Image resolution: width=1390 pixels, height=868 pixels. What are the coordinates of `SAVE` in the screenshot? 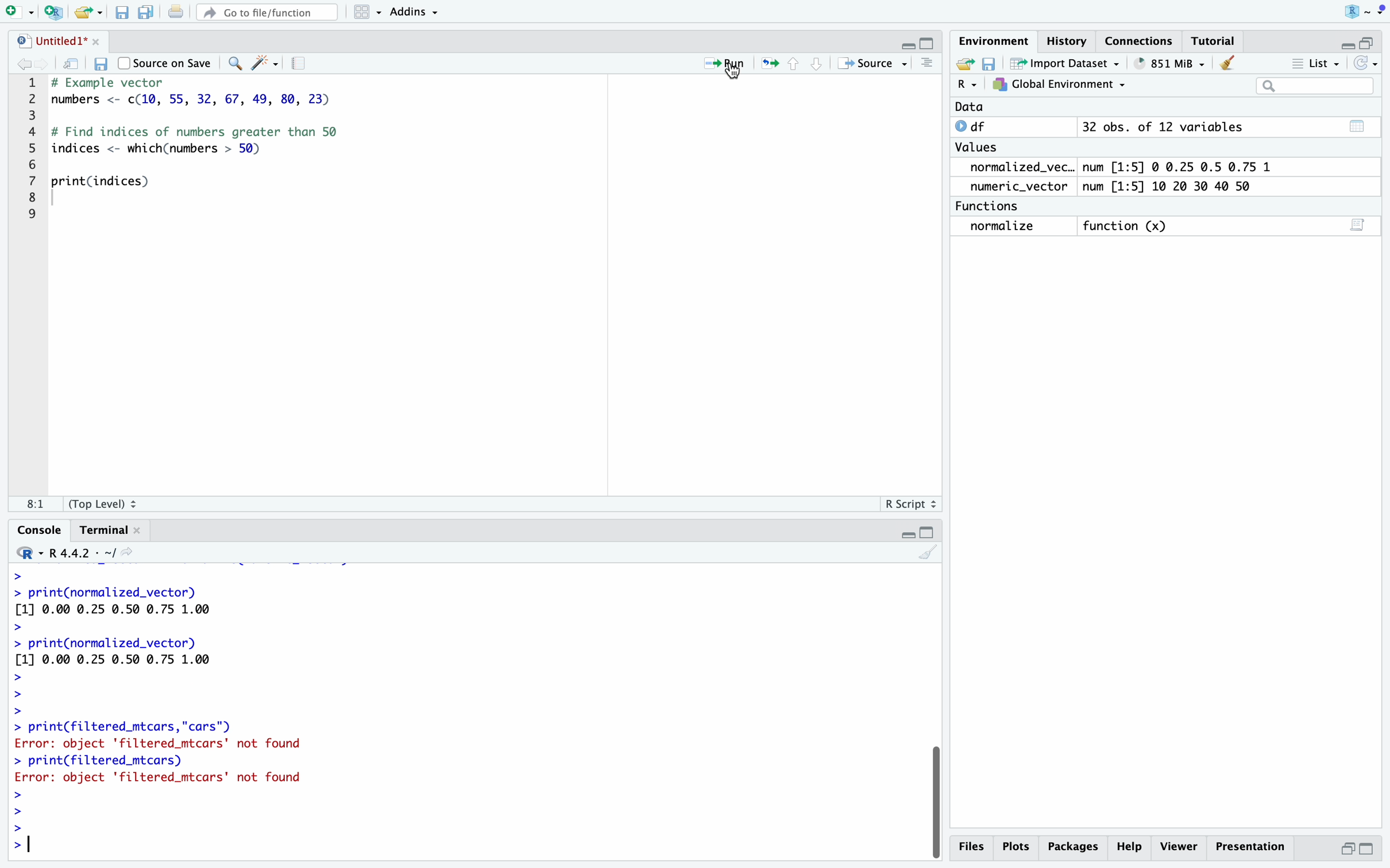 It's located at (989, 64).